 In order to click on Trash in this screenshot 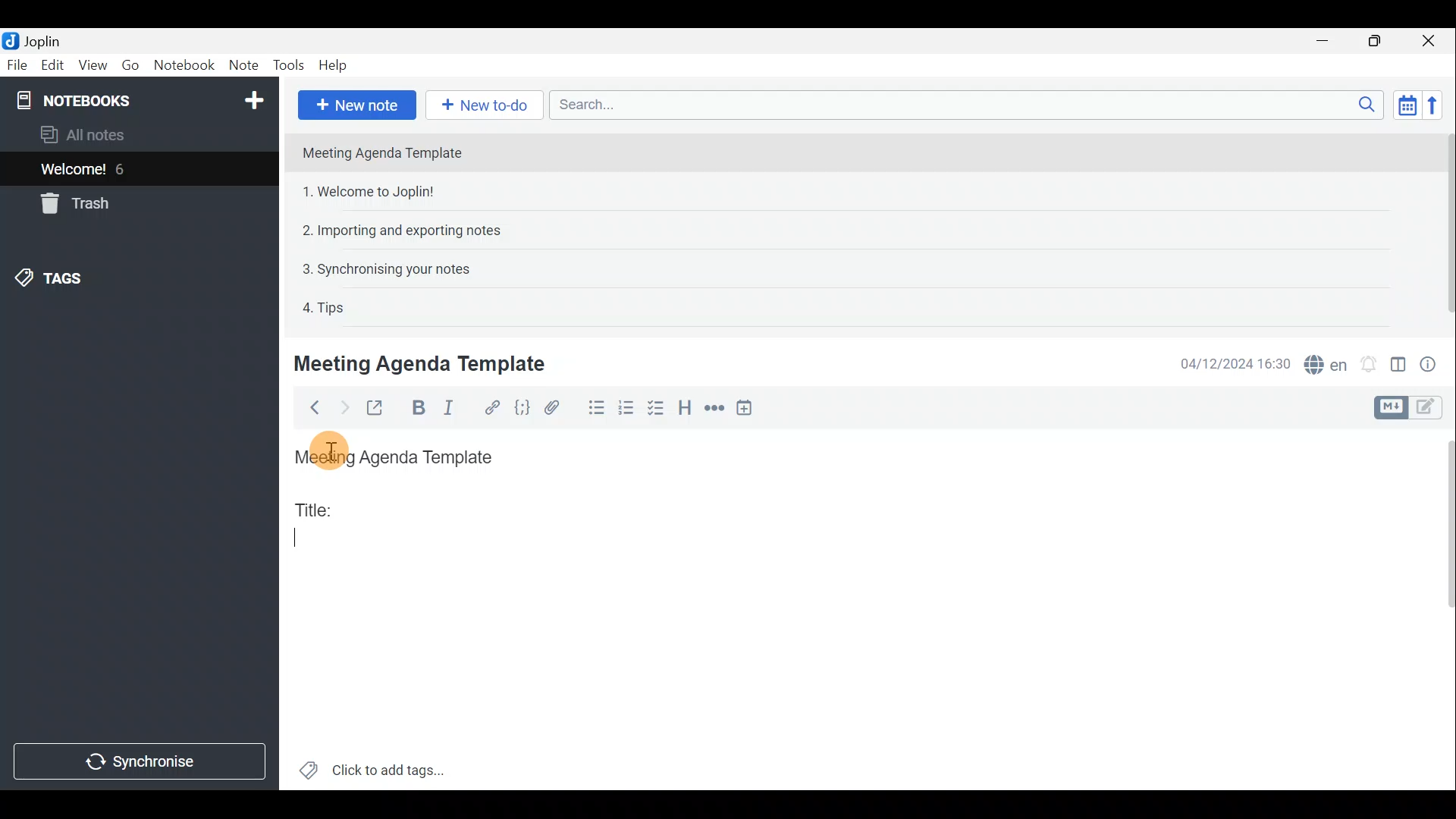, I will do `click(72, 203)`.